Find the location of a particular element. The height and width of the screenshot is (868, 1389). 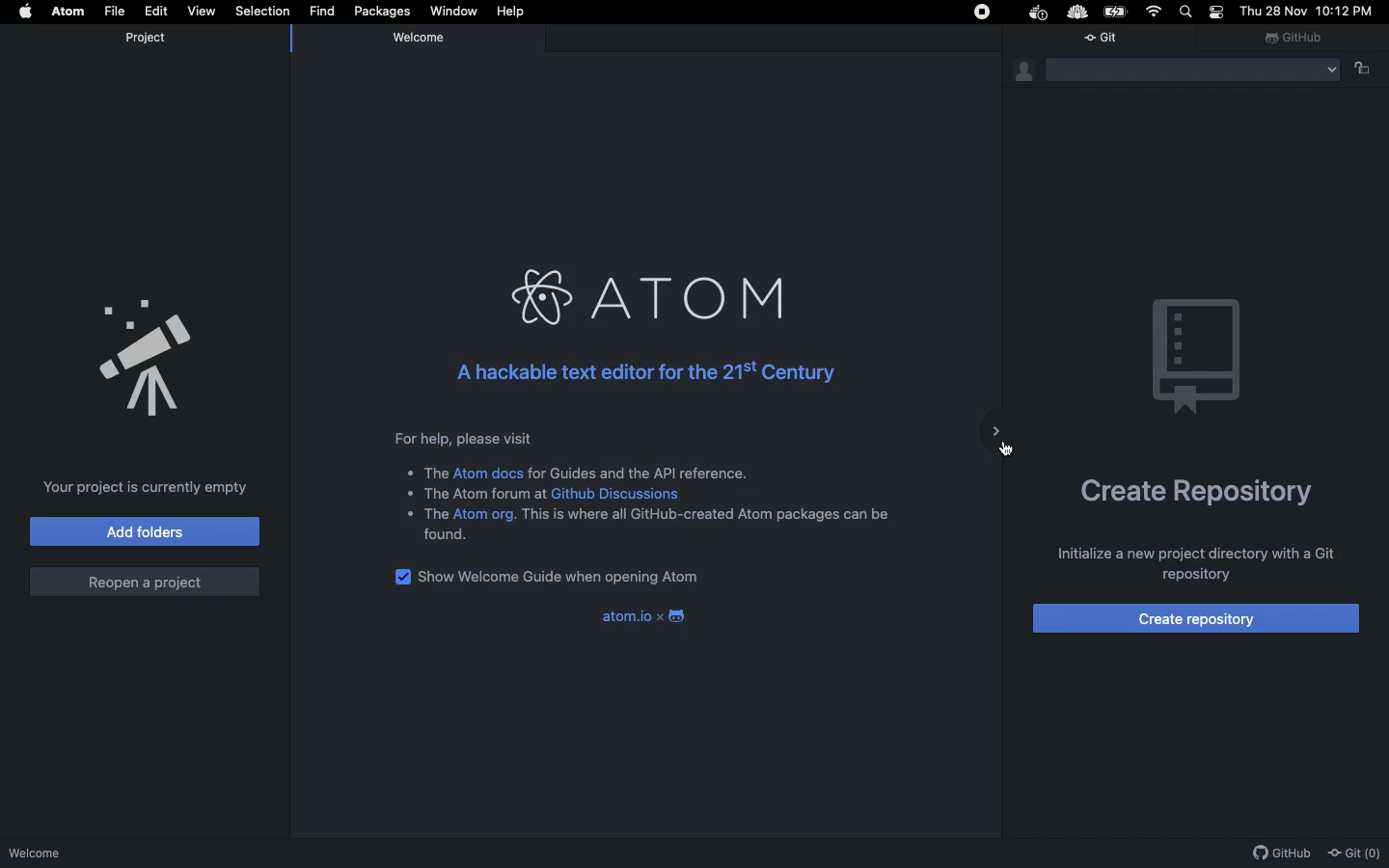

Add folders is located at coordinates (144, 531).